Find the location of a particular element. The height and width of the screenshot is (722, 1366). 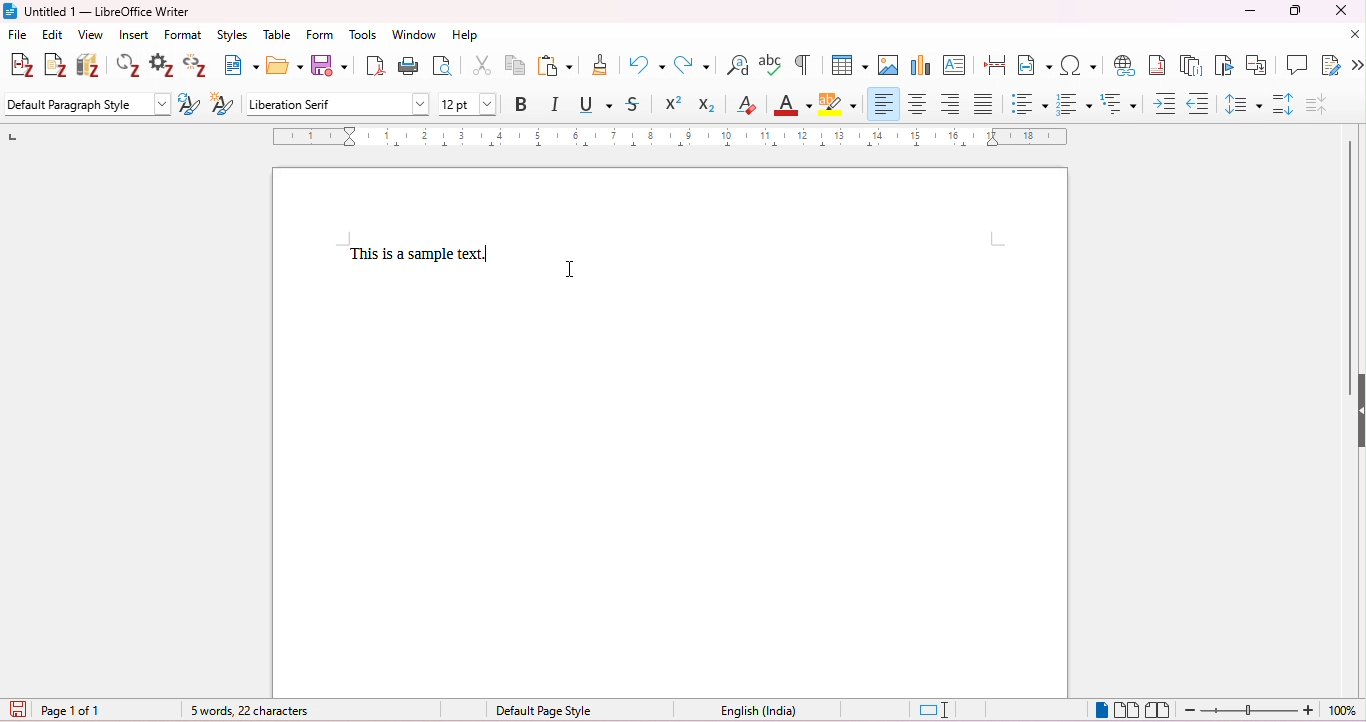

open is located at coordinates (283, 66).